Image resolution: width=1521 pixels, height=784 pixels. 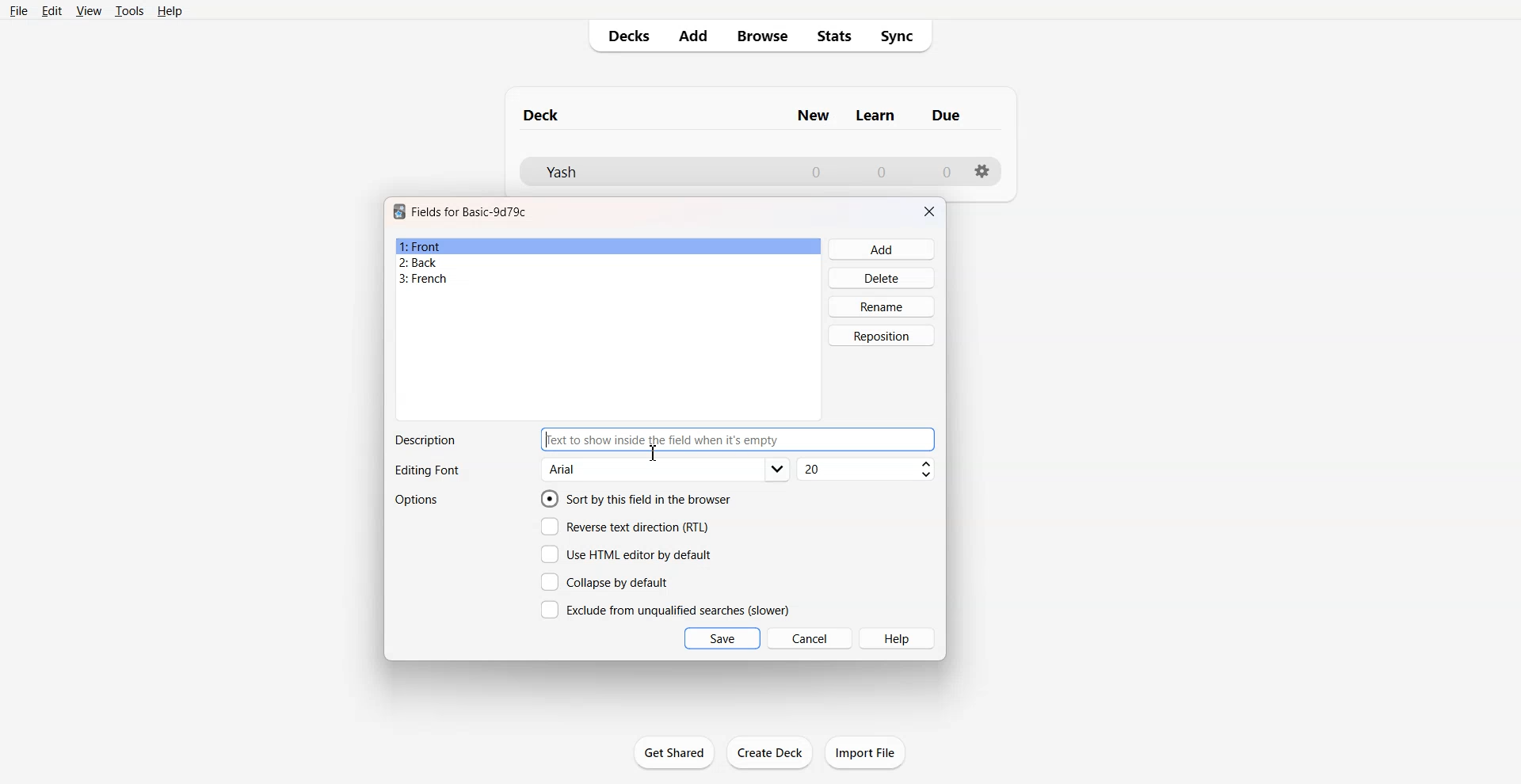 What do you see at coordinates (625, 527) in the screenshot?
I see `Reverse text direction (RTL)` at bounding box center [625, 527].